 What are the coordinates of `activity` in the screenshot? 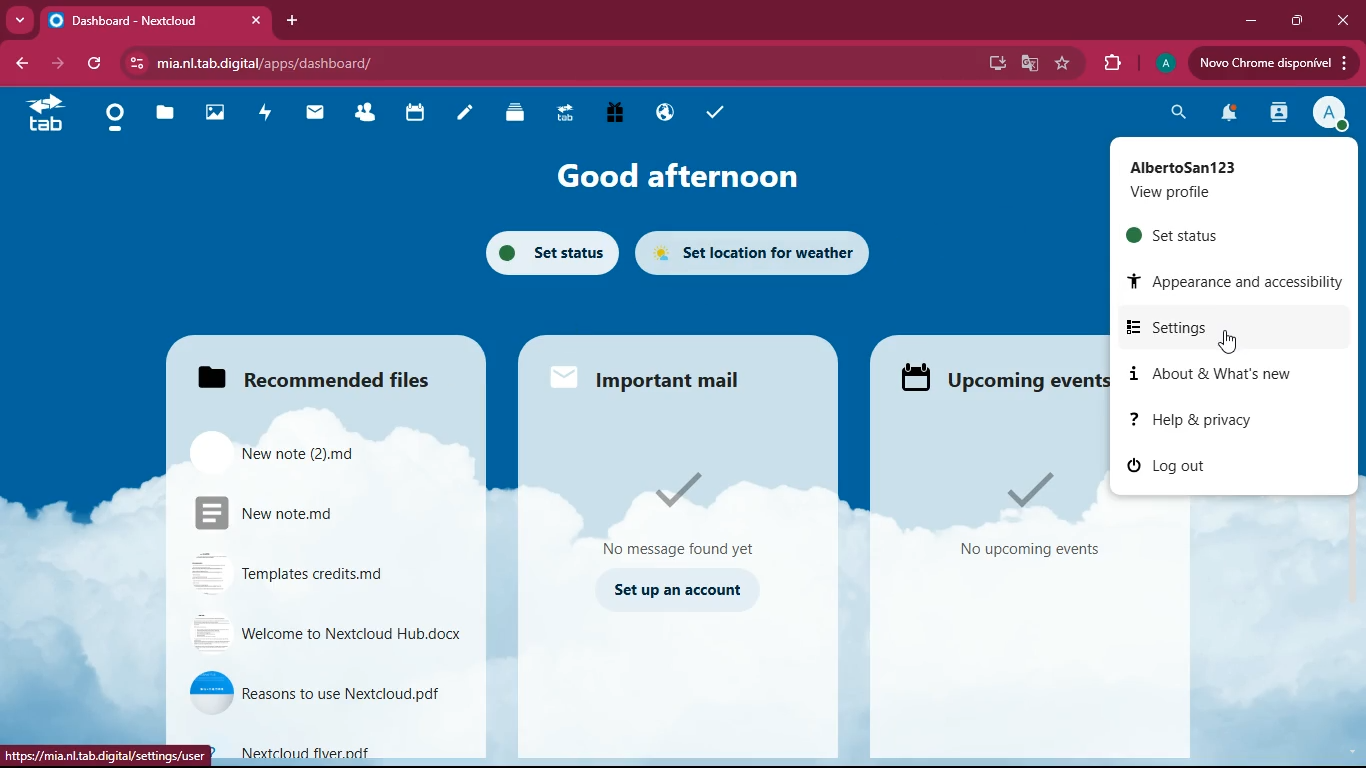 It's located at (263, 115).